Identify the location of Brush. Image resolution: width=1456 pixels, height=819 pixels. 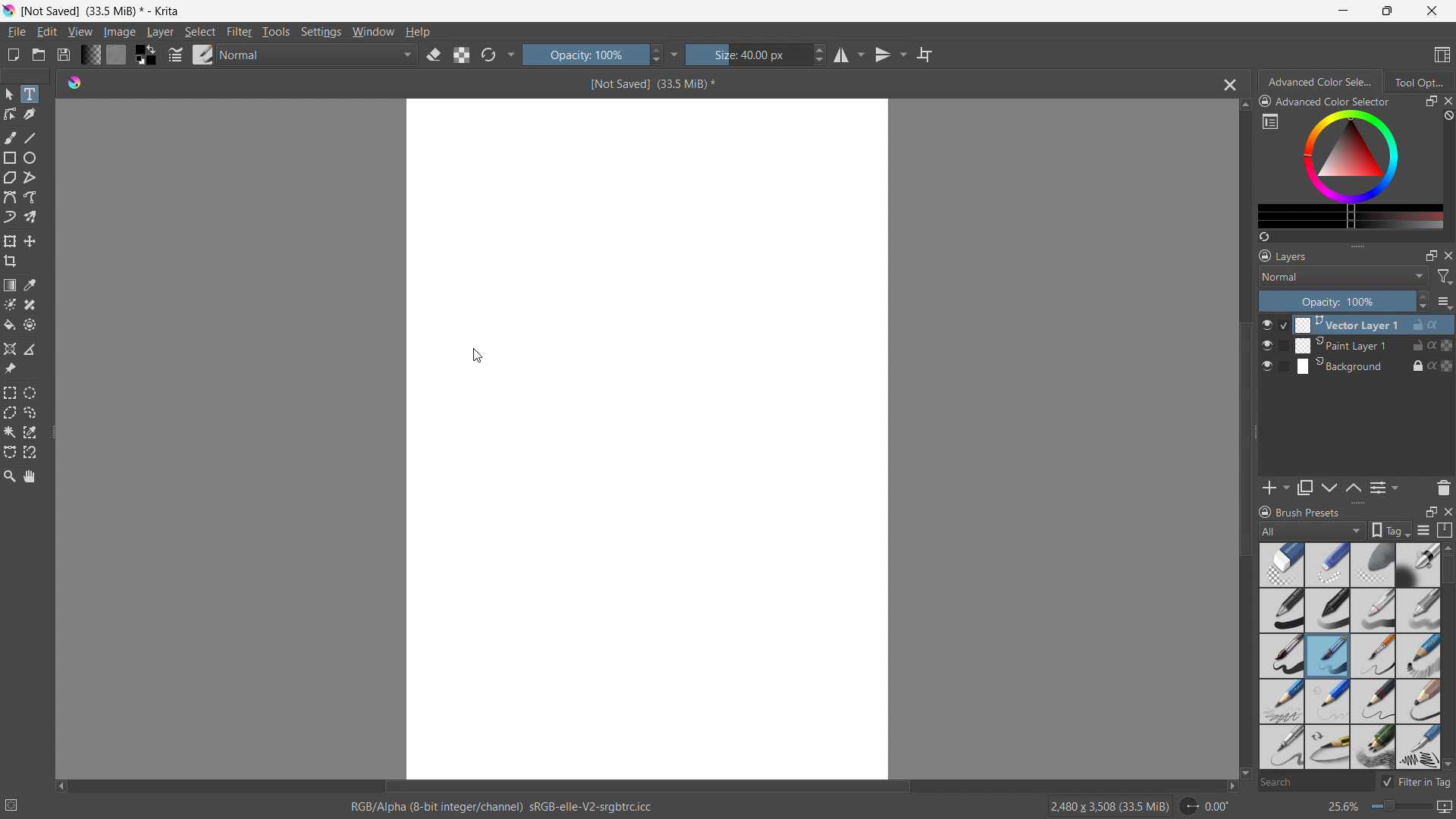
(1328, 656).